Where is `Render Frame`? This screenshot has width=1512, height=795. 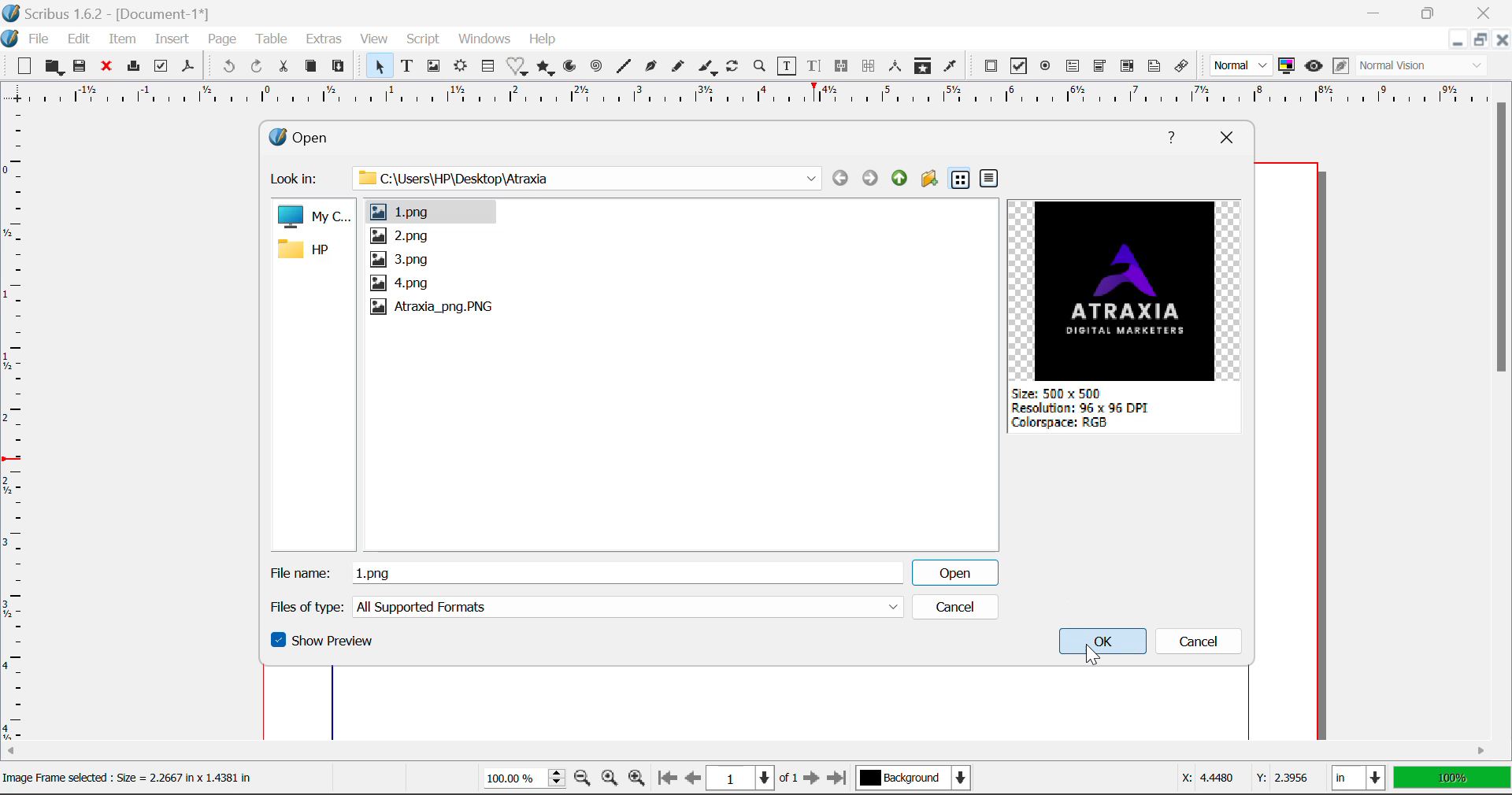
Render Frame is located at coordinates (461, 67).